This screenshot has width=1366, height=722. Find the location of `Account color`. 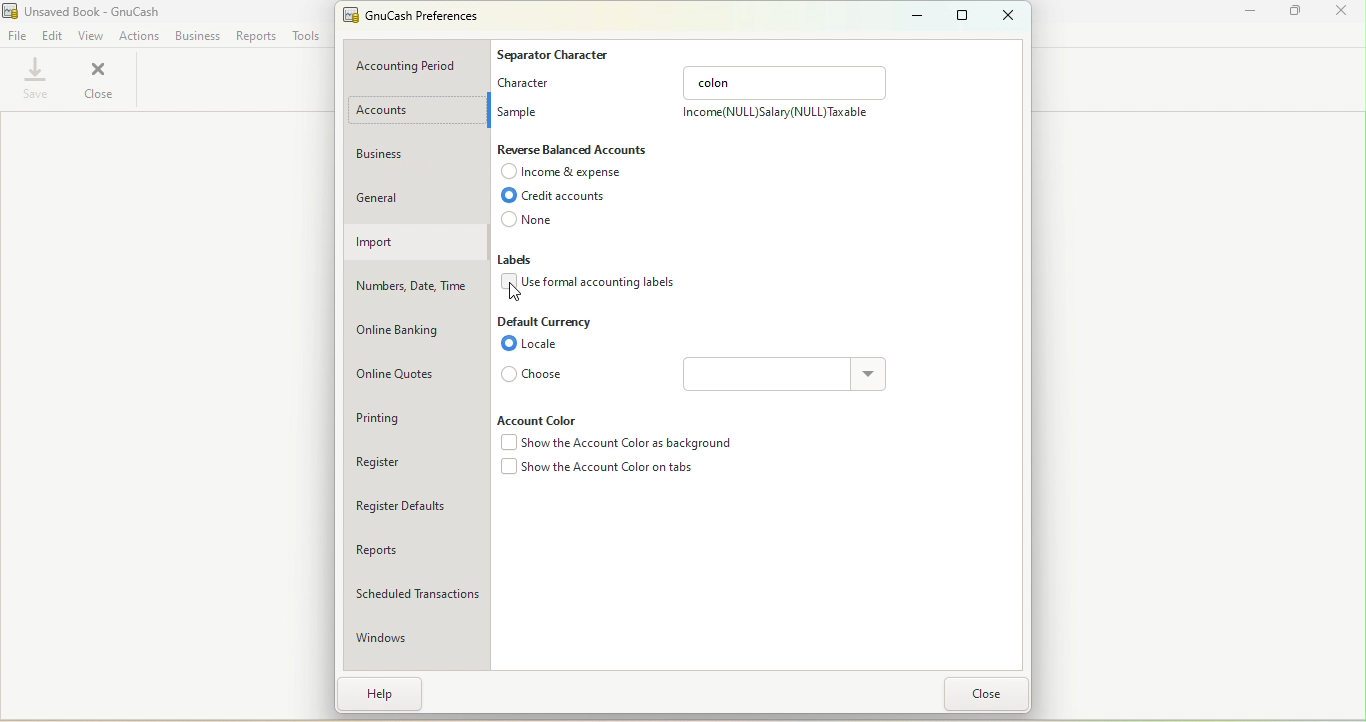

Account color is located at coordinates (546, 419).